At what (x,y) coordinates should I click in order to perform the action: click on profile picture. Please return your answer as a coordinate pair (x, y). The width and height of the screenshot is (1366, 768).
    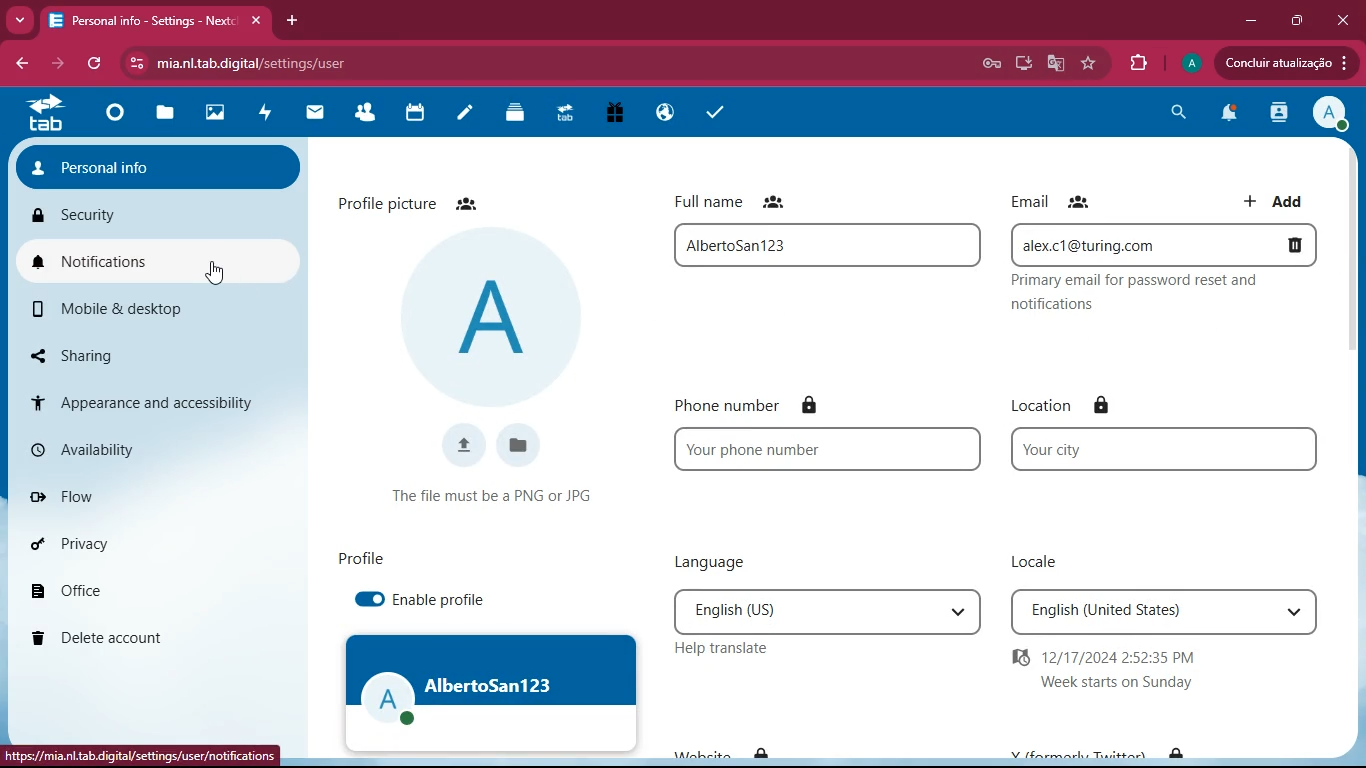
    Looking at the image, I should click on (491, 314).